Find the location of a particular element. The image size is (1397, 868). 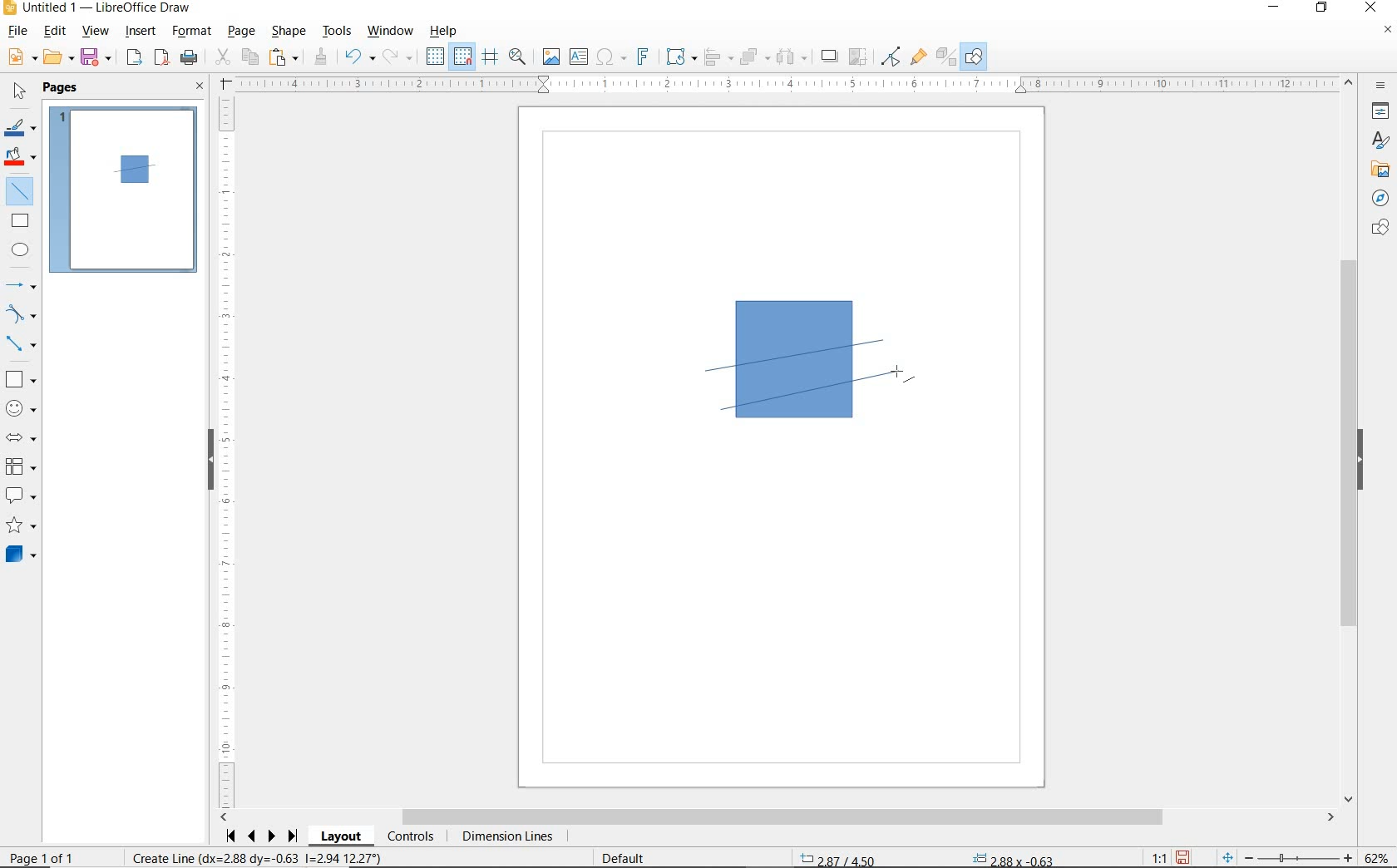

RULER is located at coordinates (787, 84).